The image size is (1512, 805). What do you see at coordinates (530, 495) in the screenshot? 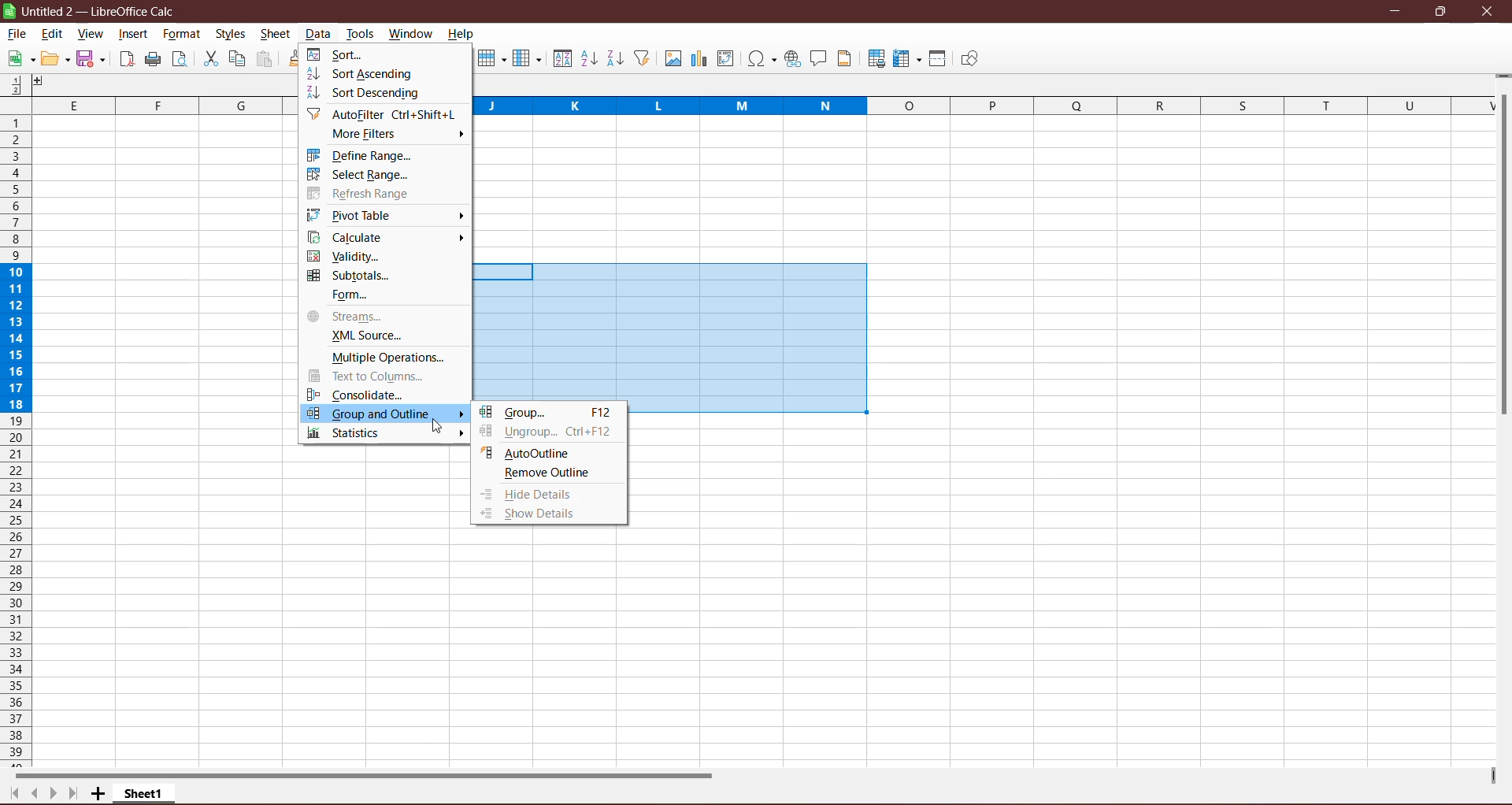
I see `Hide details` at bounding box center [530, 495].